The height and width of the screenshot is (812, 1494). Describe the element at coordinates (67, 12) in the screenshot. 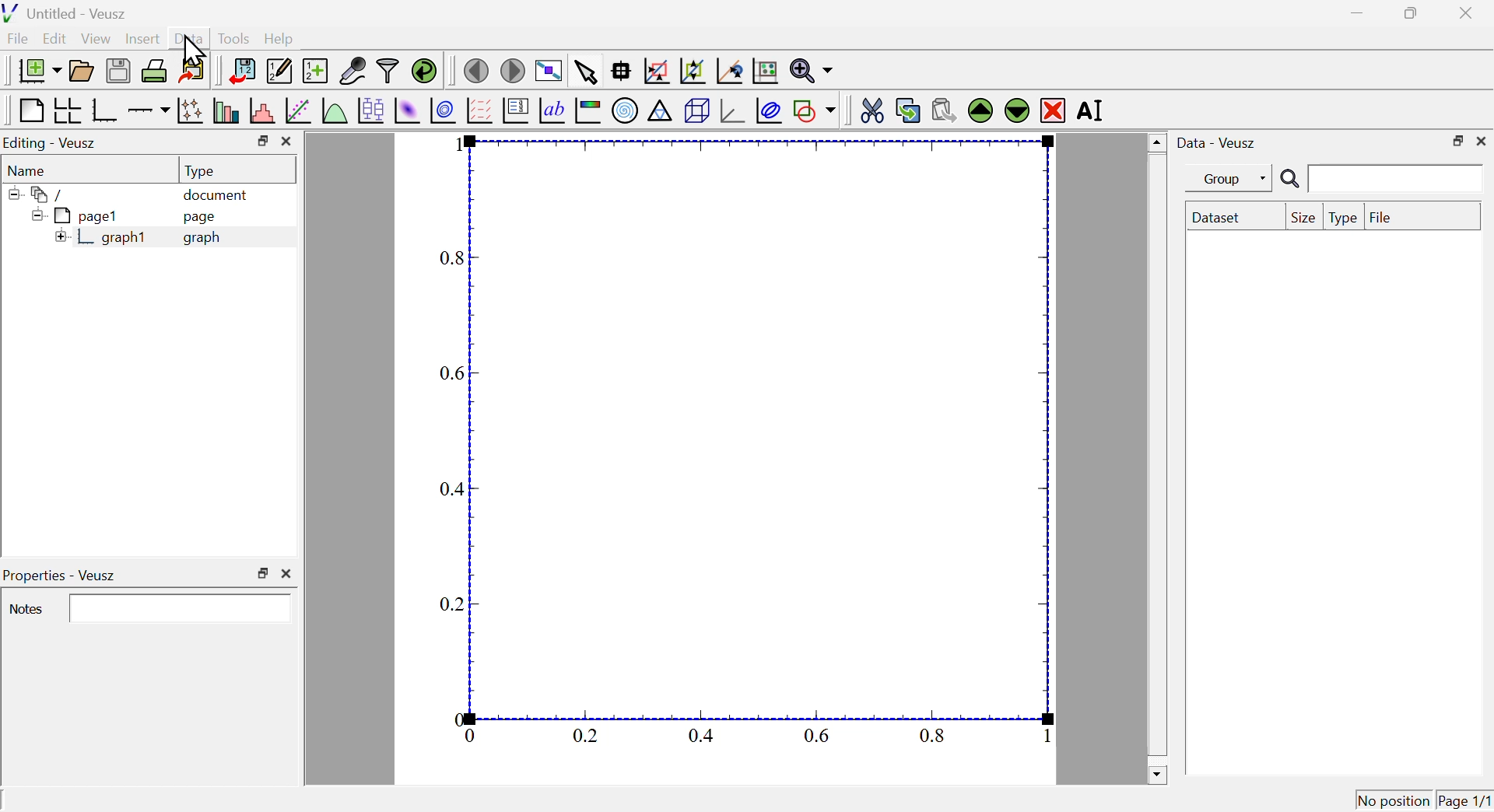

I see `untitled - veusz` at that location.